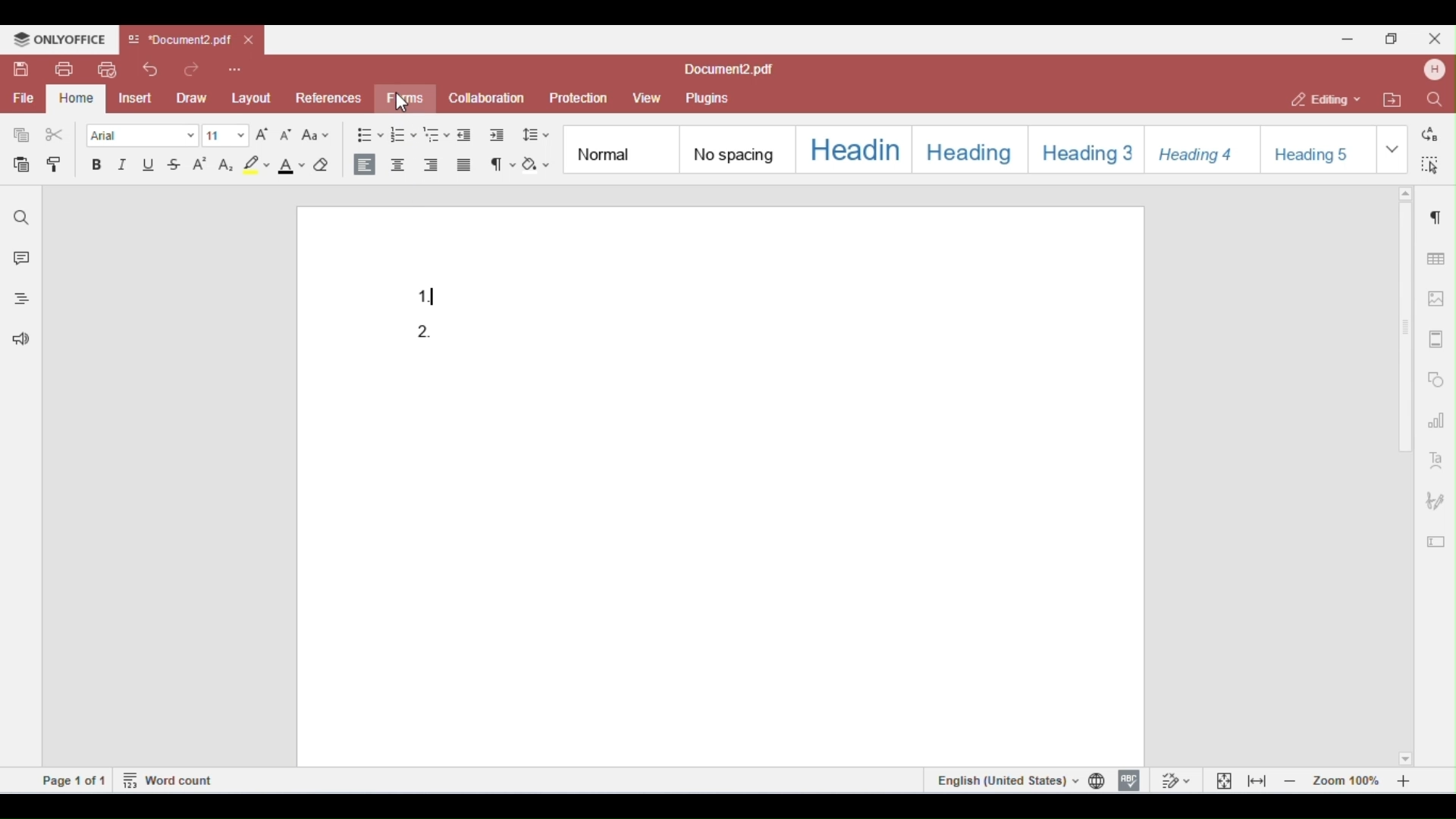  What do you see at coordinates (1436, 538) in the screenshot?
I see `form settings` at bounding box center [1436, 538].